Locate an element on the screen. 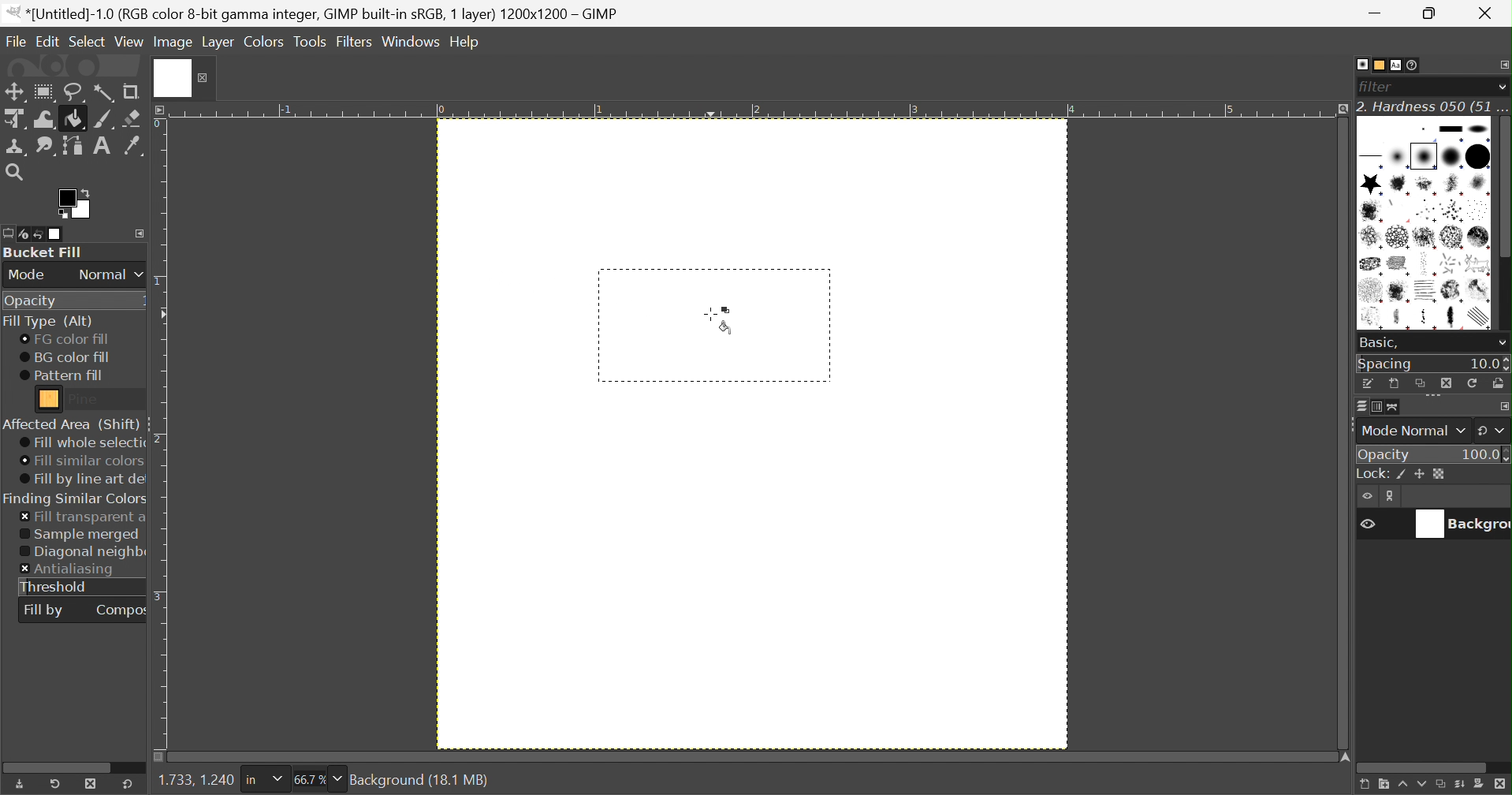 The height and width of the screenshot is (795, 1512). Cursor is located at coordinates (721, 320).